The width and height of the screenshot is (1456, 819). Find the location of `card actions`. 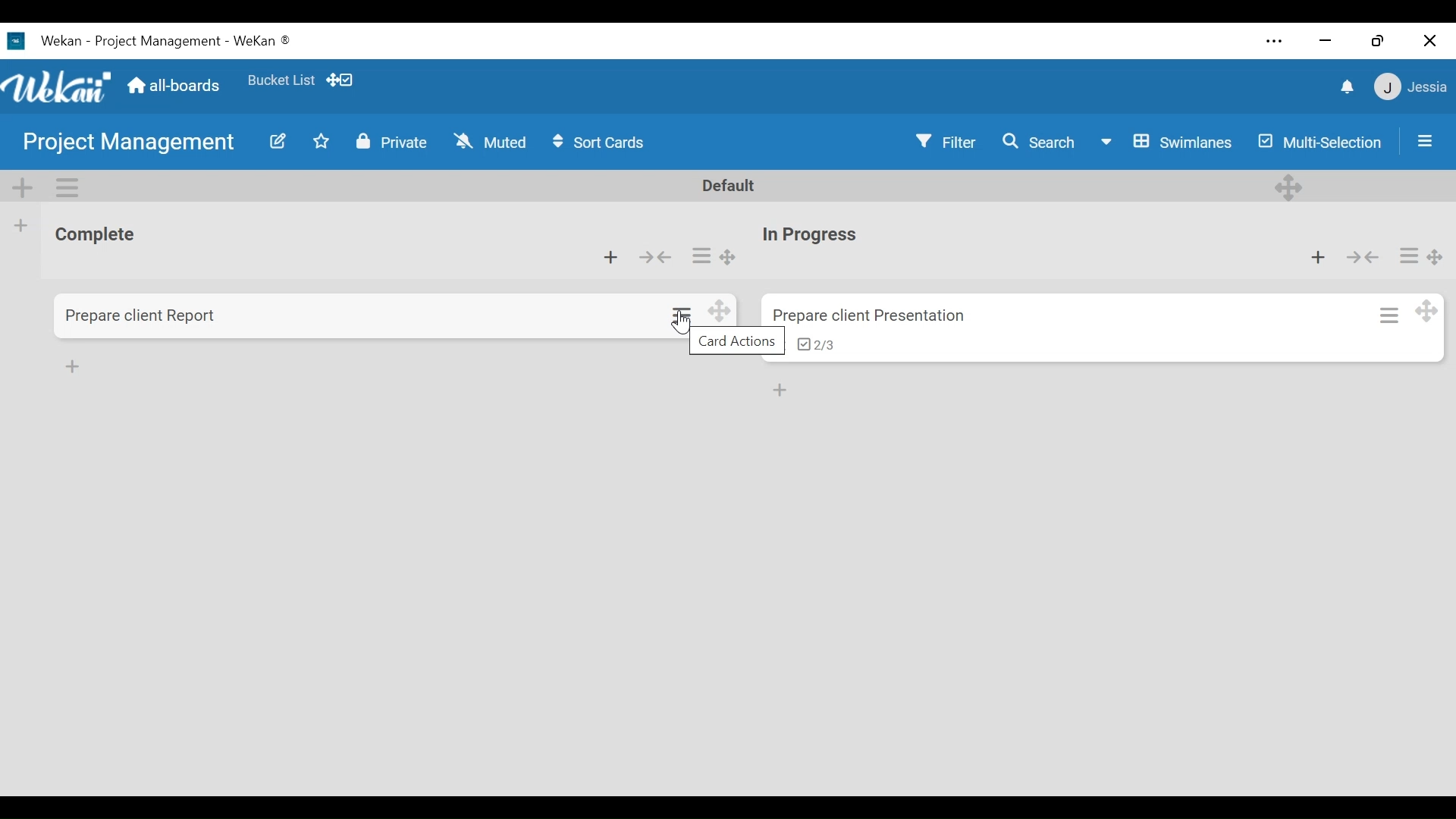

card actions is located at coordinates (739, 340).